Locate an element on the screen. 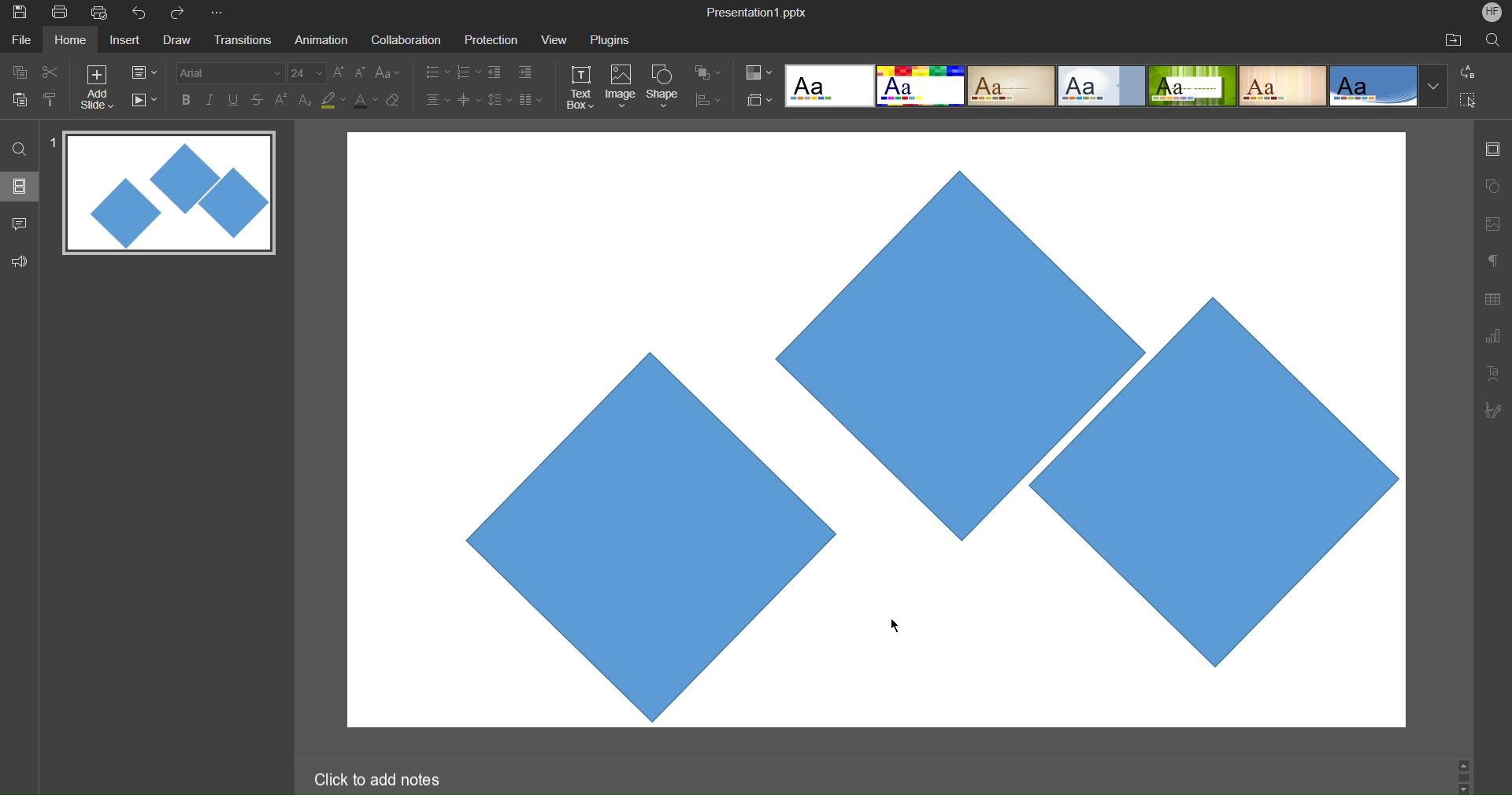 The height and width of the screenshot is (795, 1512). Font is located at coordinates (228, 72).